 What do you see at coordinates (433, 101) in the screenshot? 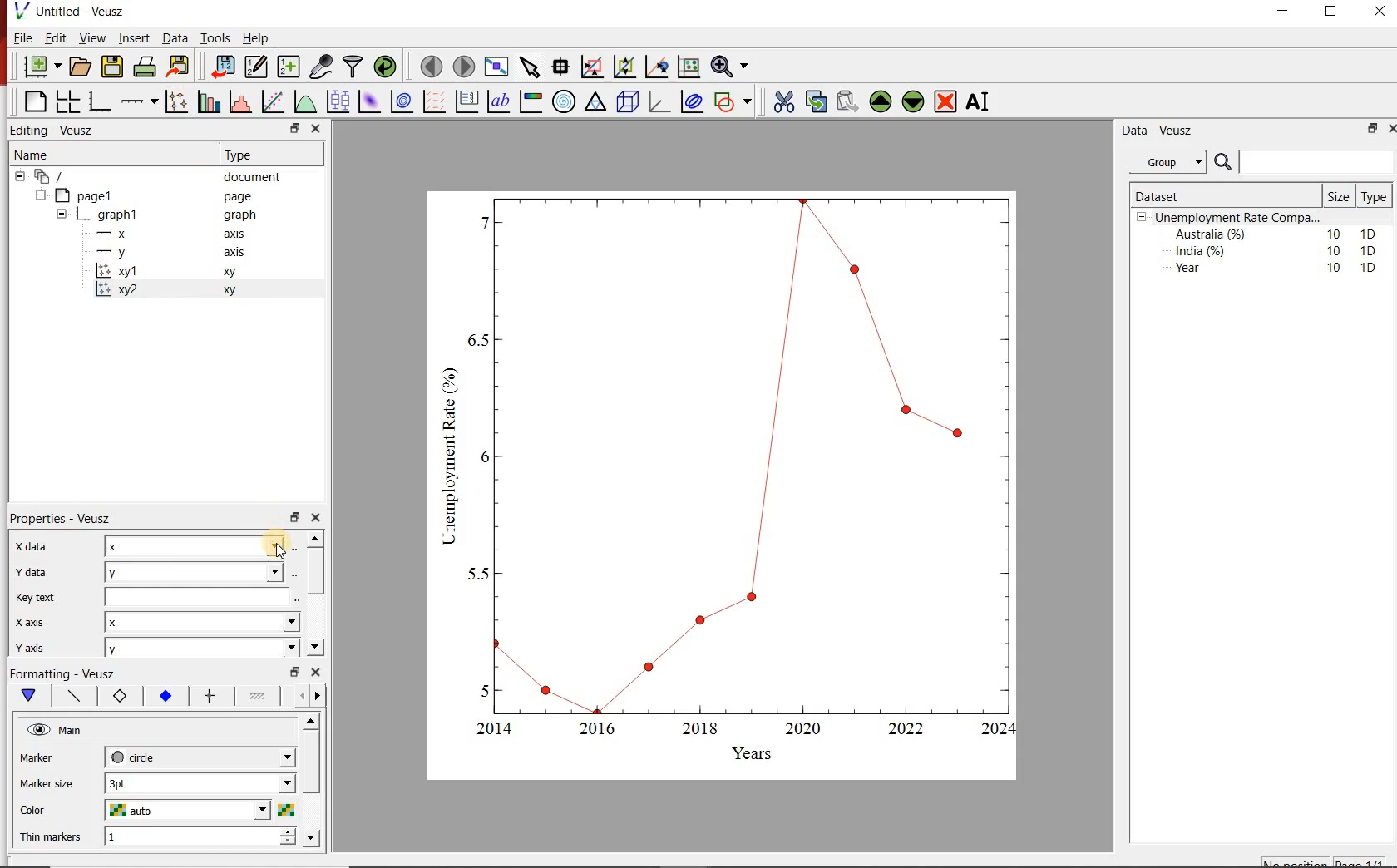
I see `plot vector field` at bounding box center [433, 101].